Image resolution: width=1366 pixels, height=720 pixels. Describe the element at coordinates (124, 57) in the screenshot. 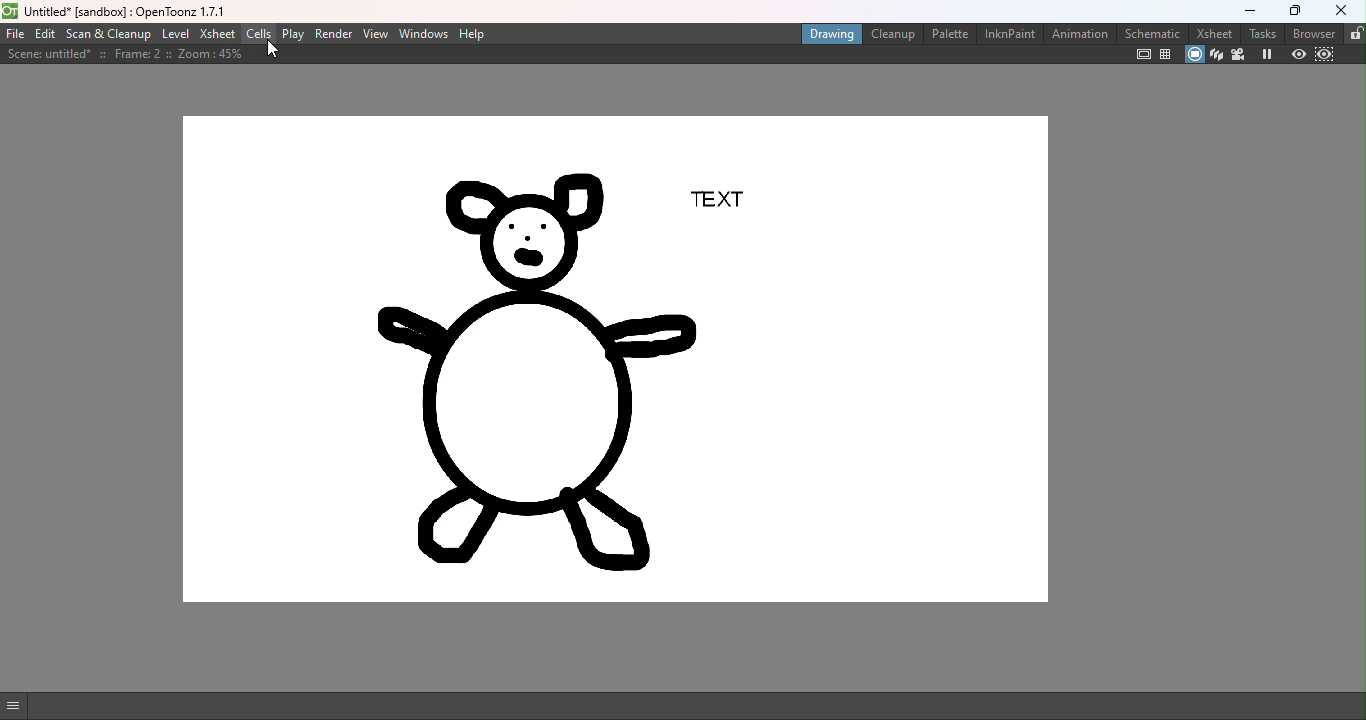

I see `Scene details` at that location.